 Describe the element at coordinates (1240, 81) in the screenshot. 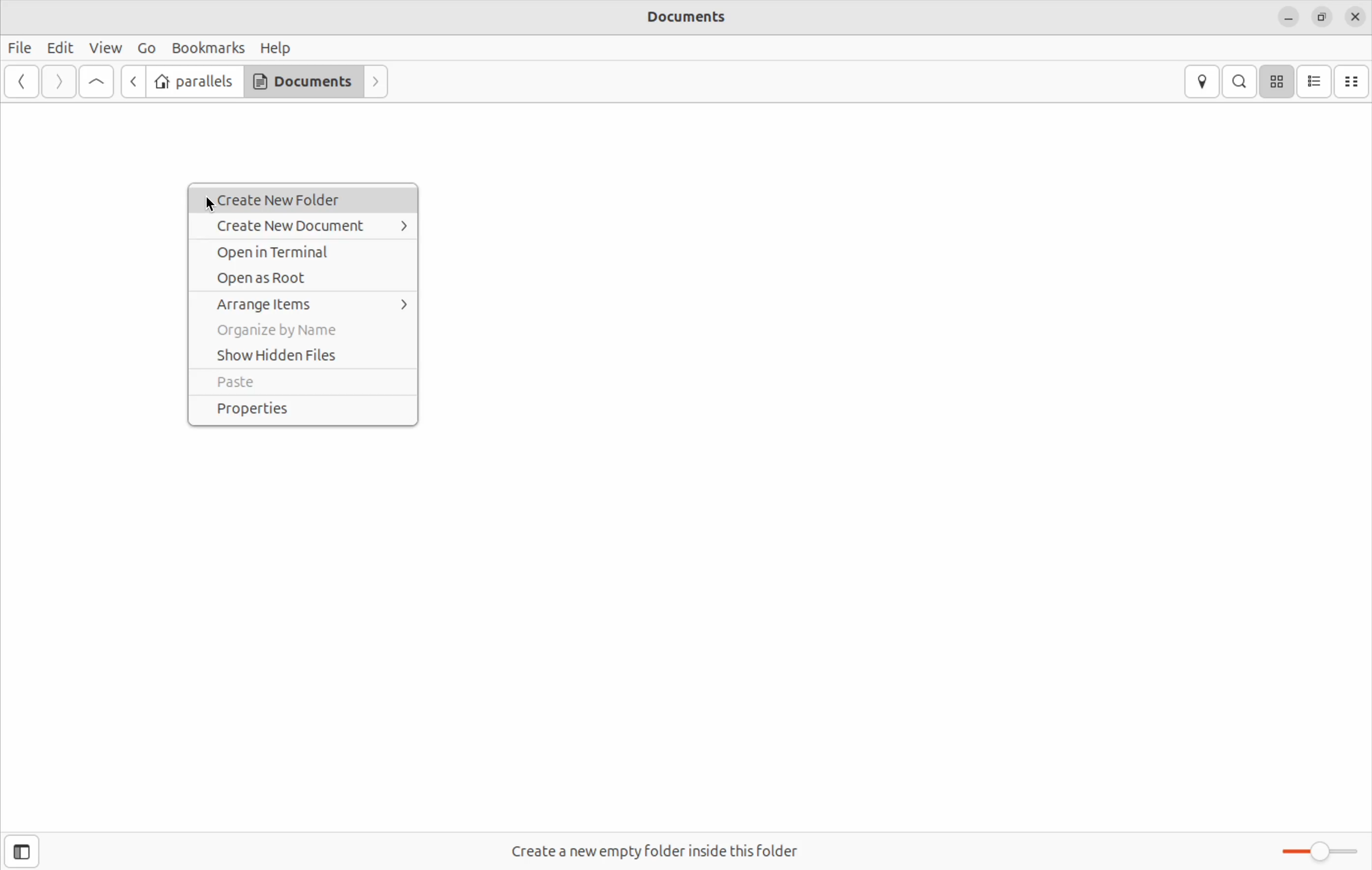

I see `search` at that location.